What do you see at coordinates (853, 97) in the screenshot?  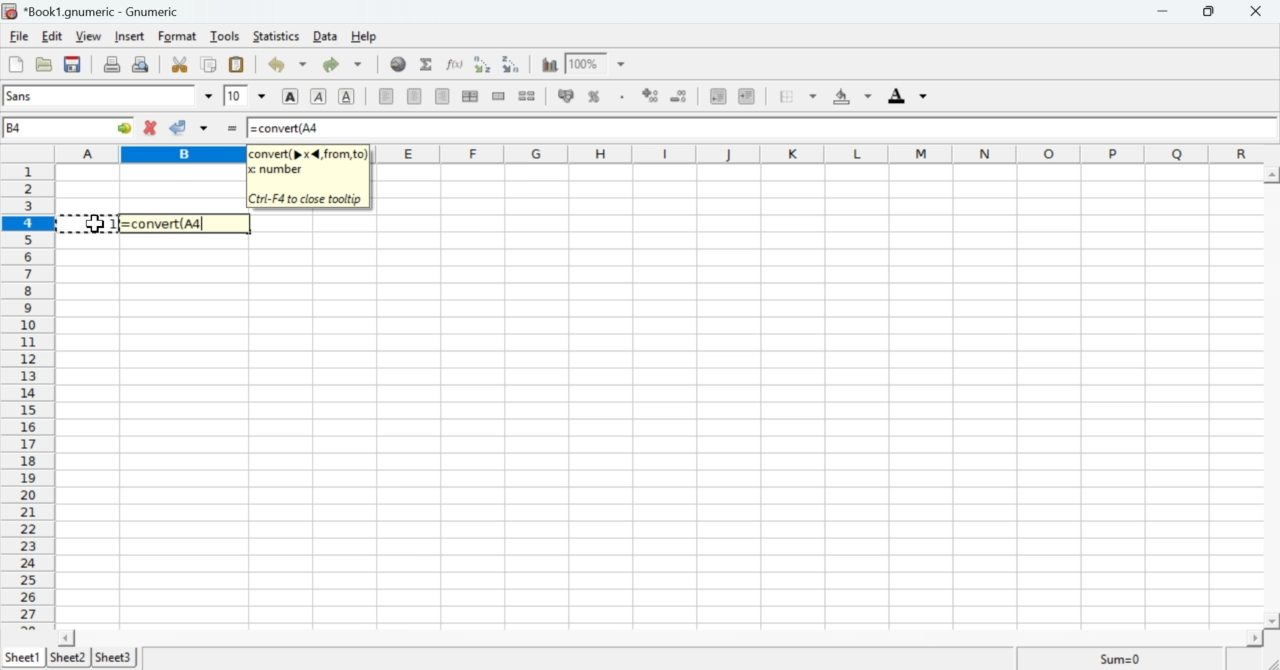 I see `Background` at bounding box center [853, 97].